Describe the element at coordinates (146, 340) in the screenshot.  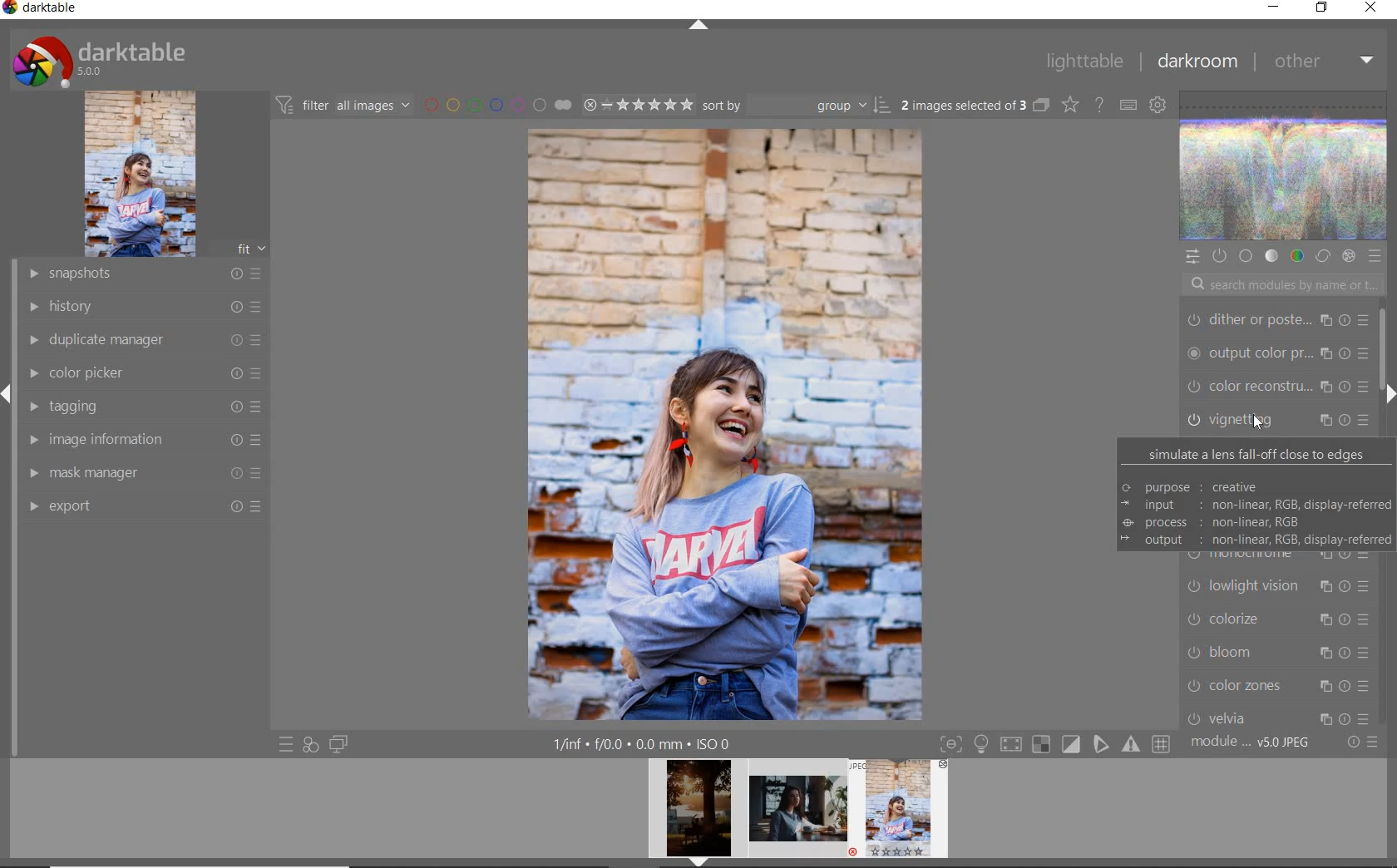
I see `duplicate manager` at that location.